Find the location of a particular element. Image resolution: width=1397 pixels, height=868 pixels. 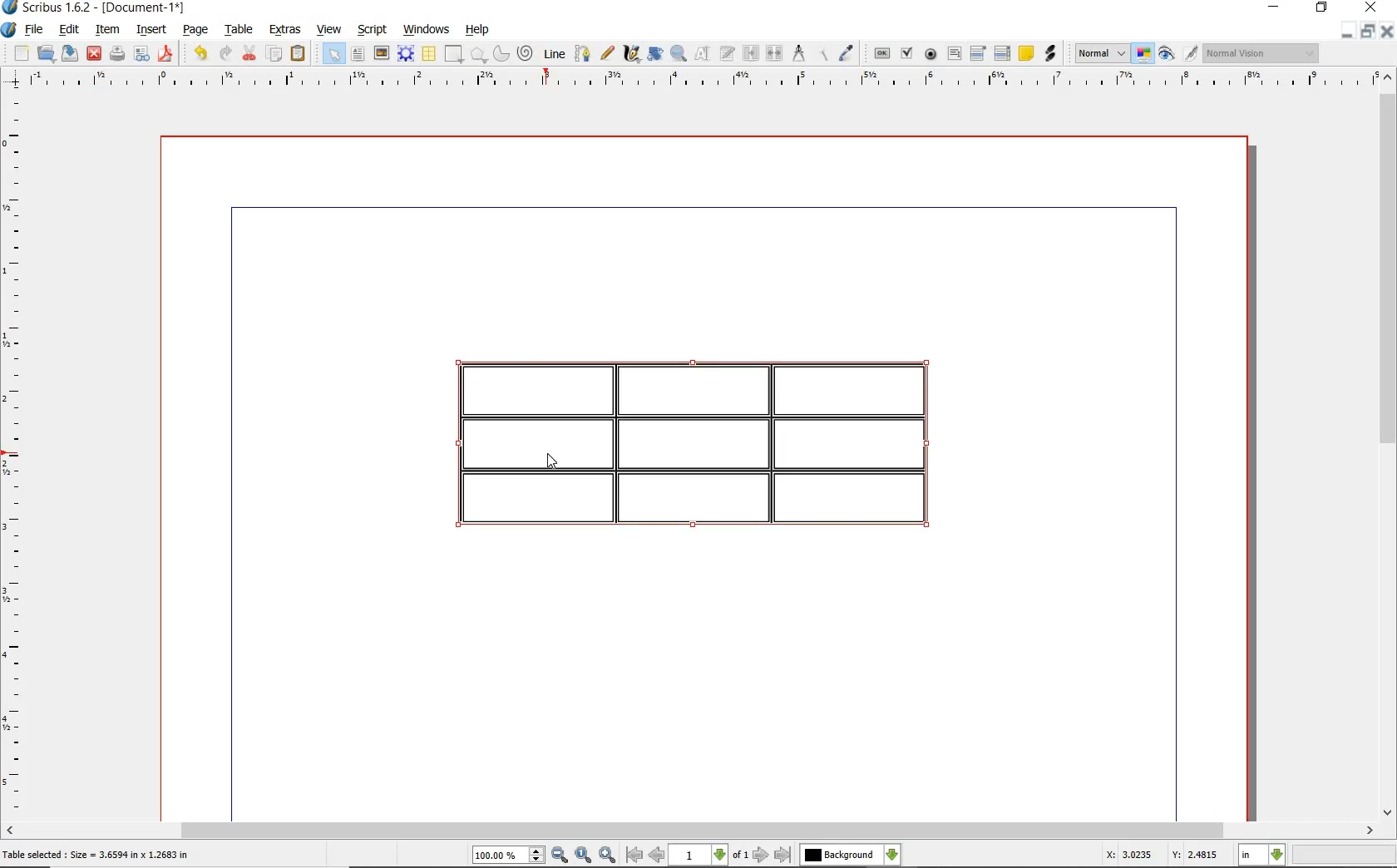

line is located at coordinates (554, 53).